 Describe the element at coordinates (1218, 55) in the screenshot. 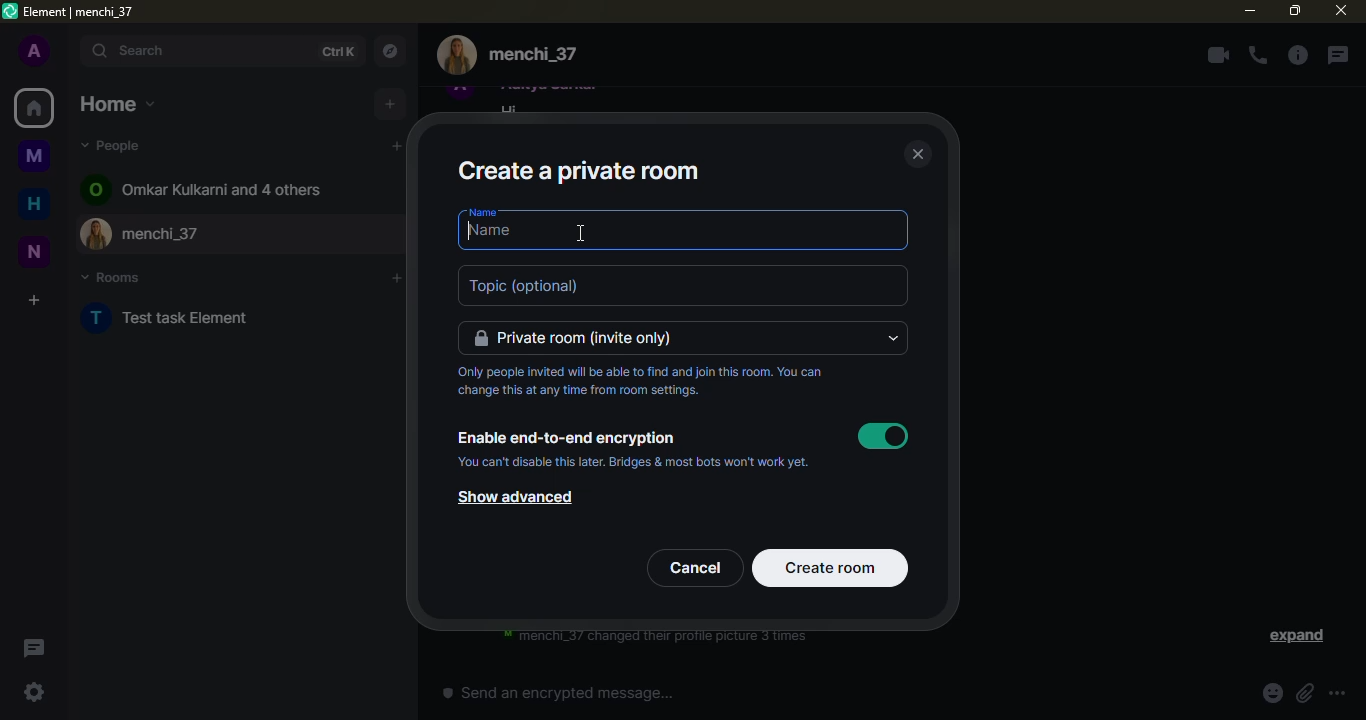

I see `video call` at that location.